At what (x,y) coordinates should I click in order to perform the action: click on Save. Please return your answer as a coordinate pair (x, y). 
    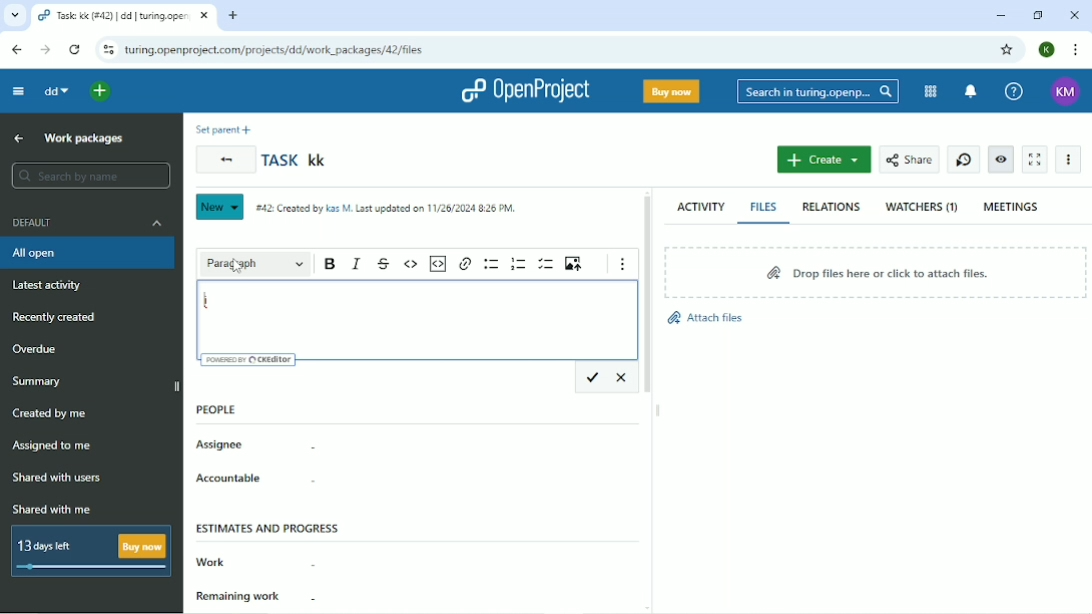
    Looking at the image, I should click on (591, 377).